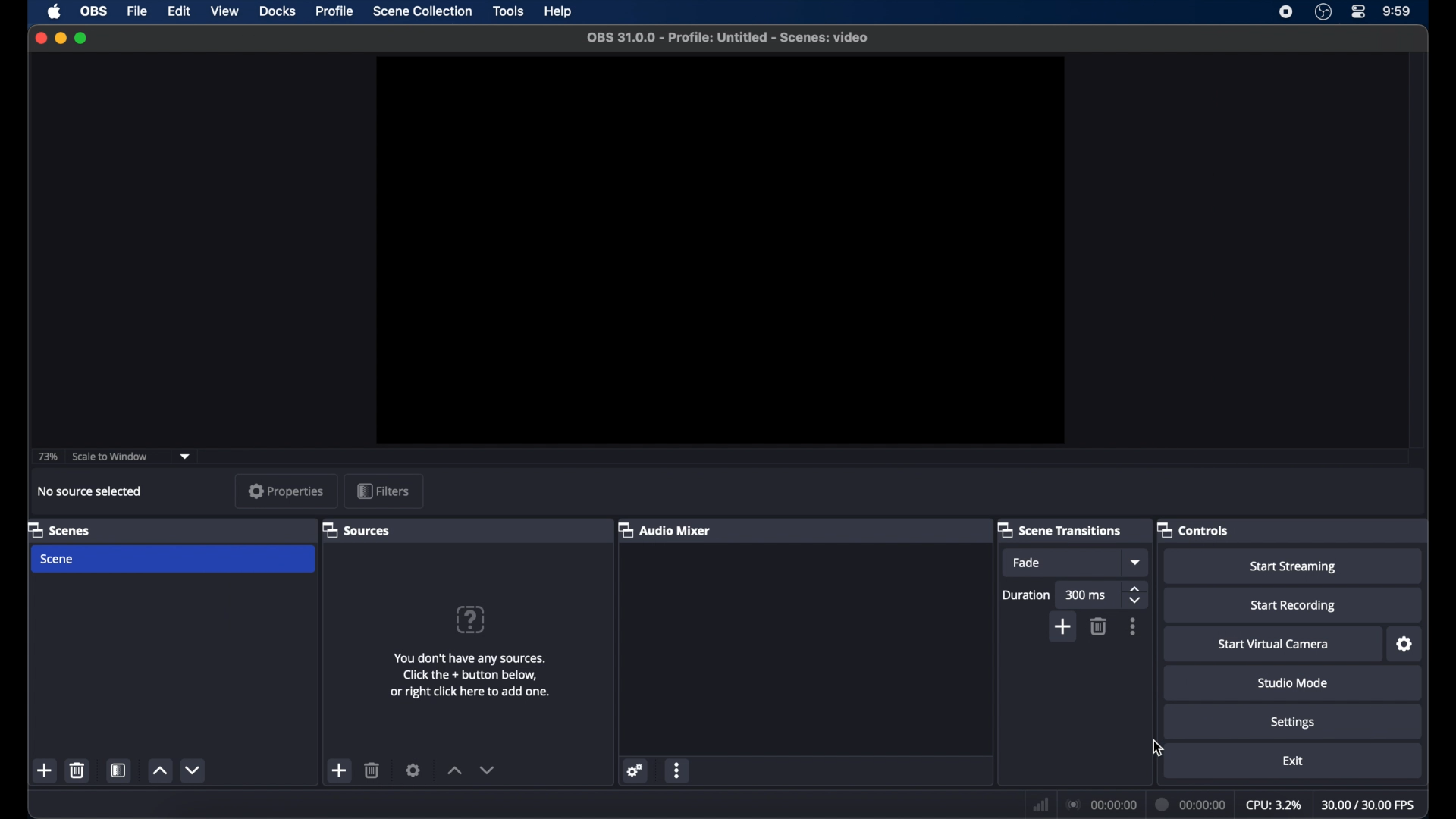  I want to click on help, so click(559, 12).